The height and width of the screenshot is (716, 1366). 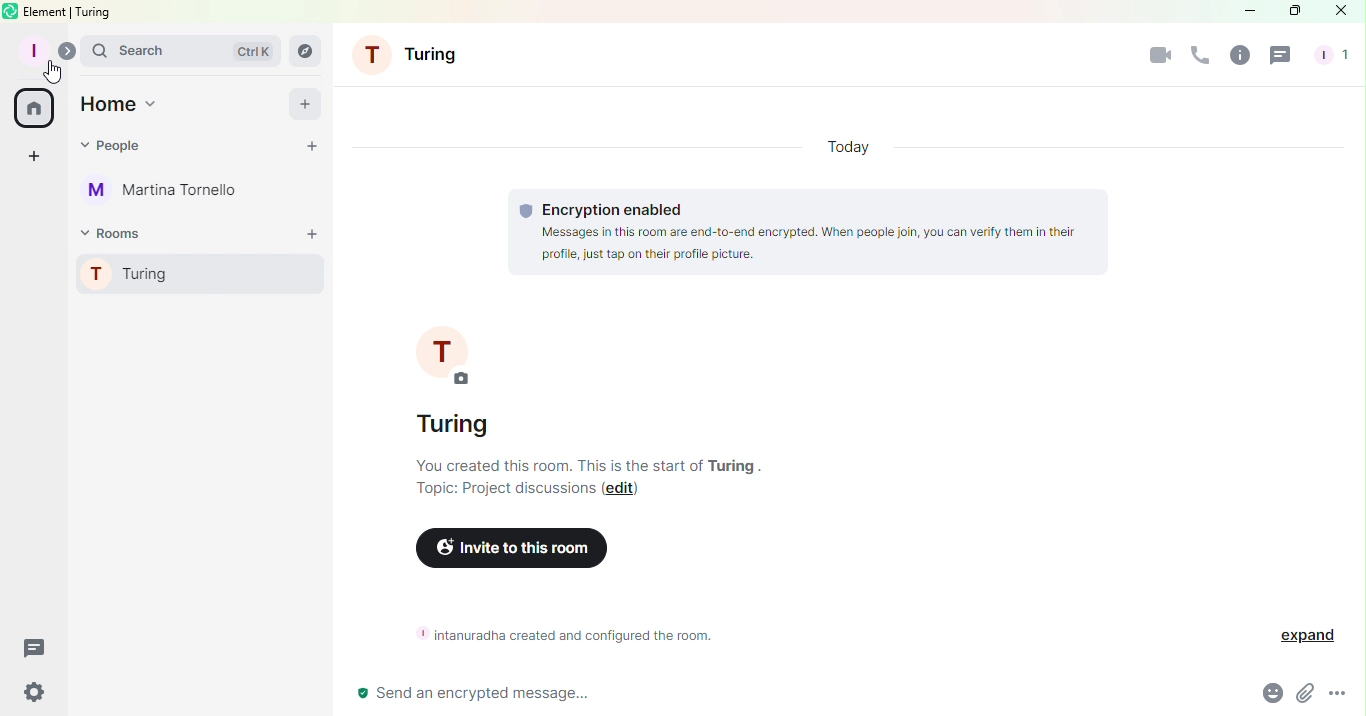 What do you see at coordinates (841, 146) in the screenshot?
I see `Today` at bounding box center [841, 146].